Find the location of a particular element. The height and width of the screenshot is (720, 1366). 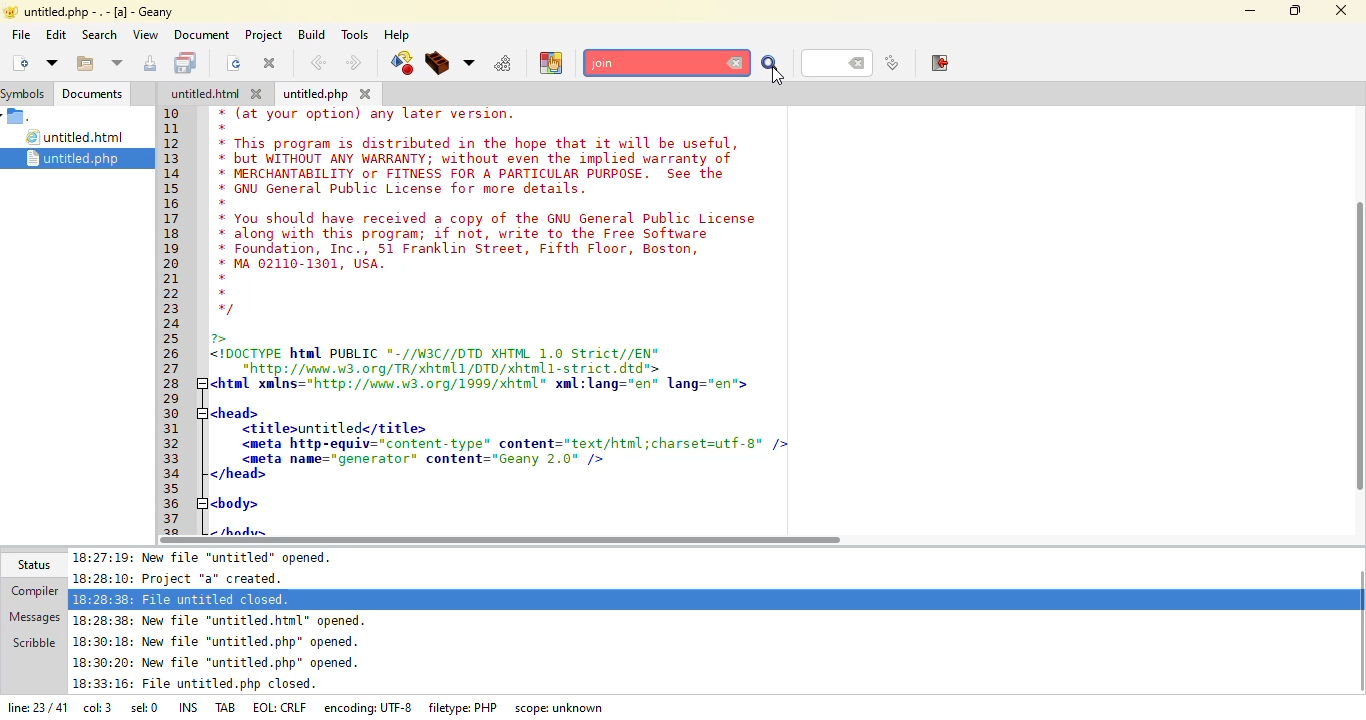

ins is located at coordinates (191, 706).